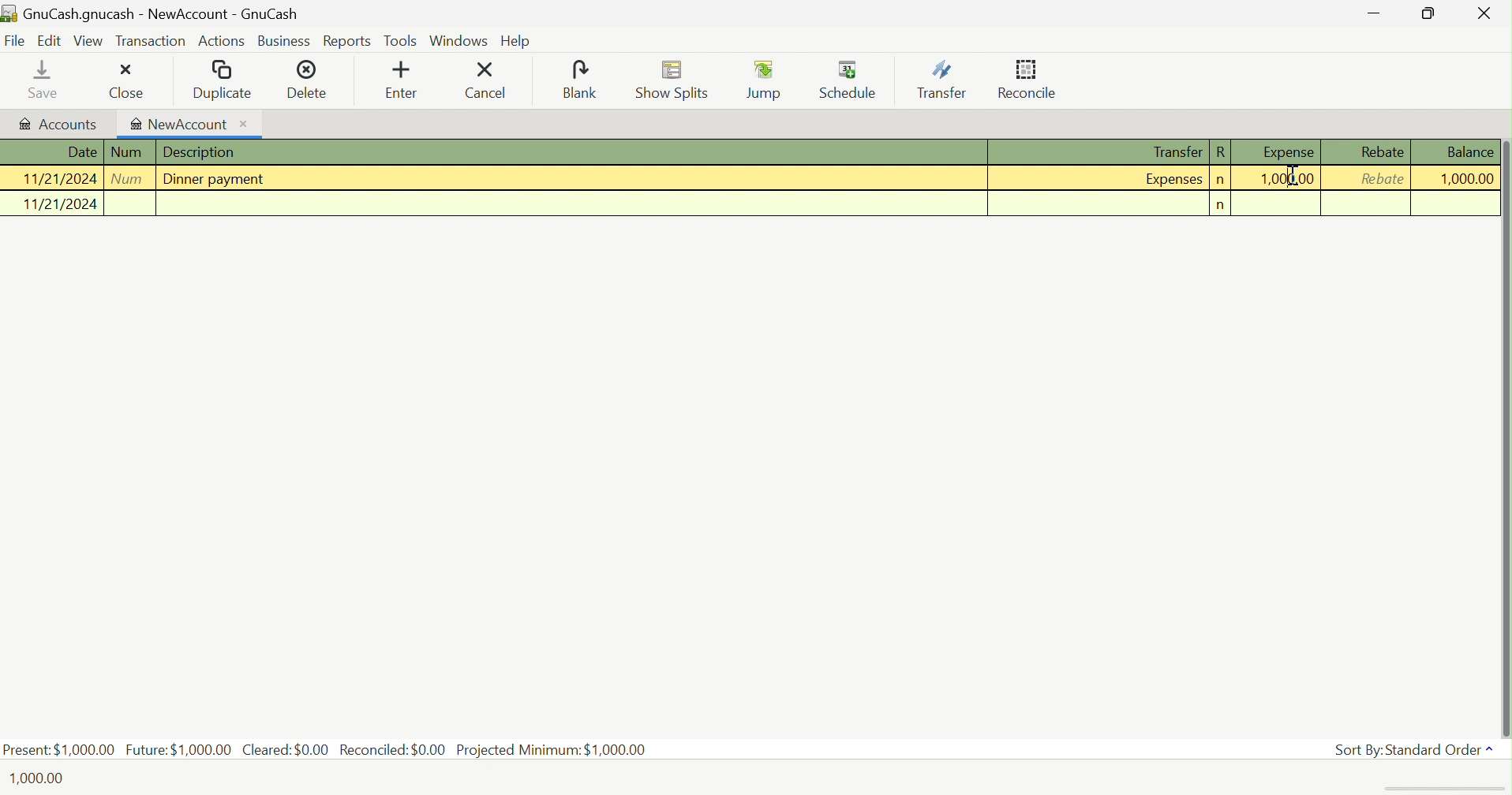 The image size is (1512, 795). Describe the element at coordinates (1027, 79) in the screenshot. I see `Reconcile` at that location.